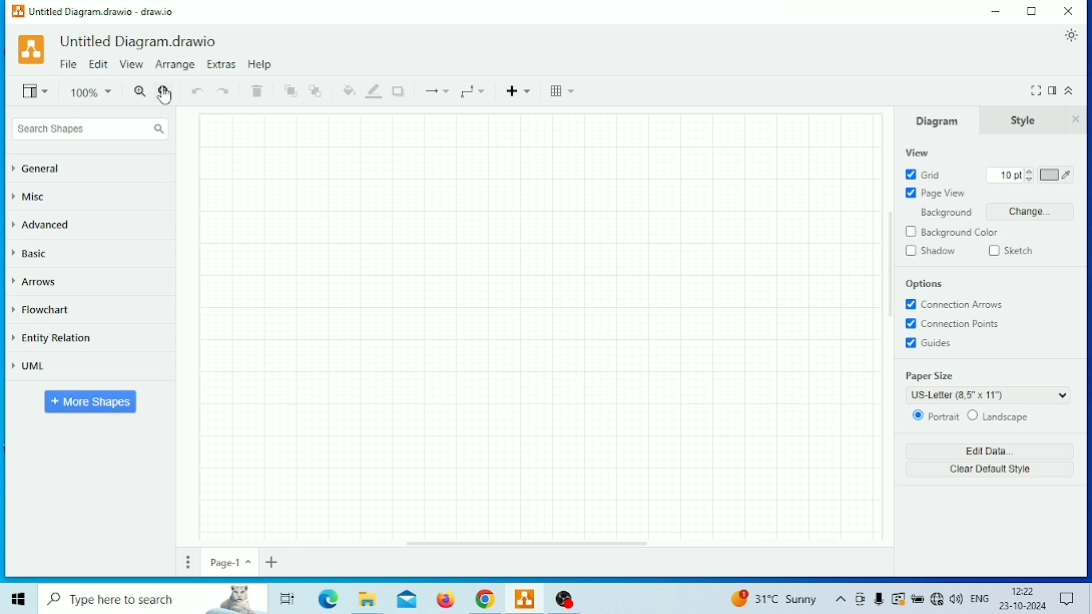  I want to click on Edit Data, so click(989, 450).